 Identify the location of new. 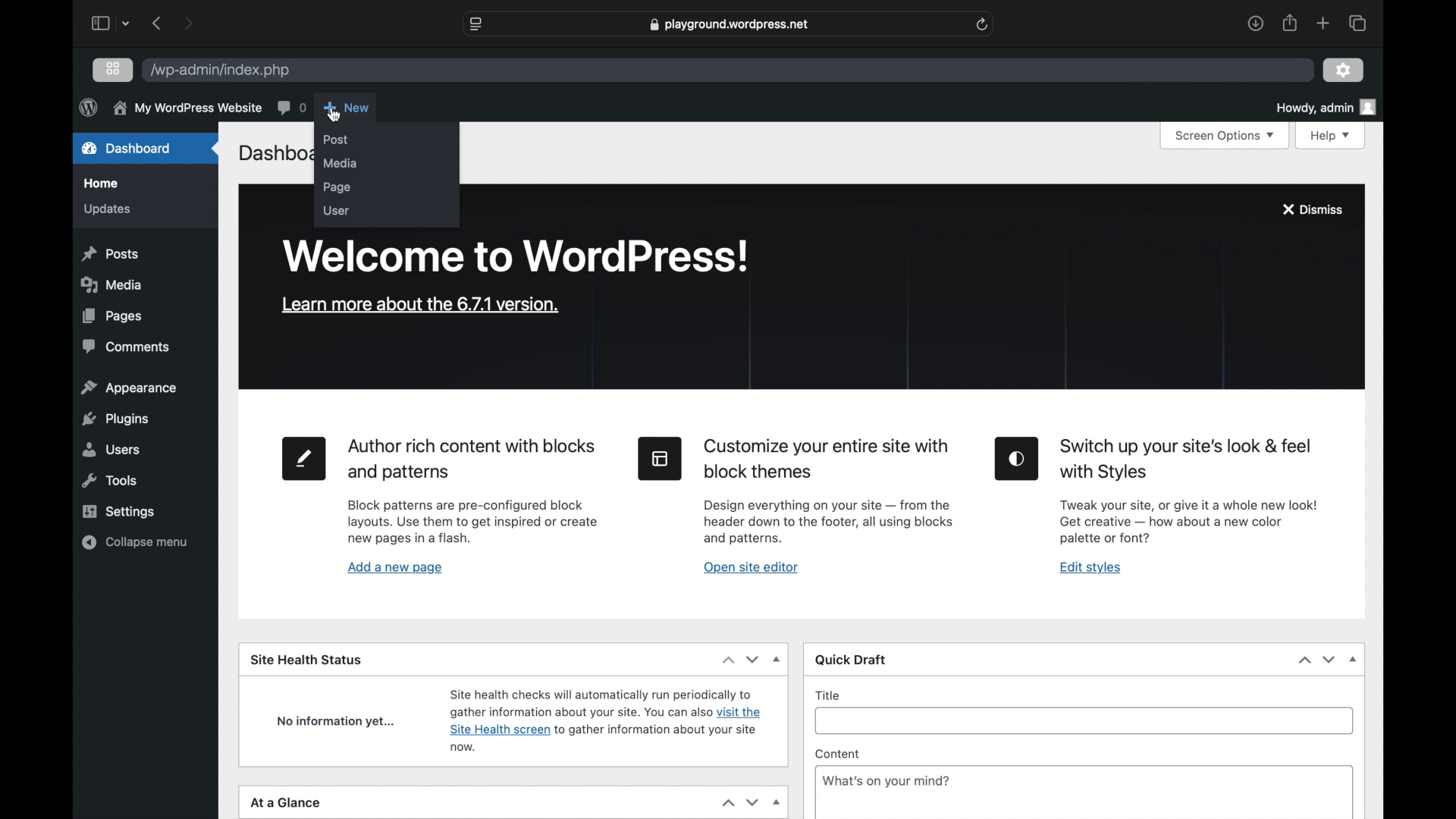
(346, 108).